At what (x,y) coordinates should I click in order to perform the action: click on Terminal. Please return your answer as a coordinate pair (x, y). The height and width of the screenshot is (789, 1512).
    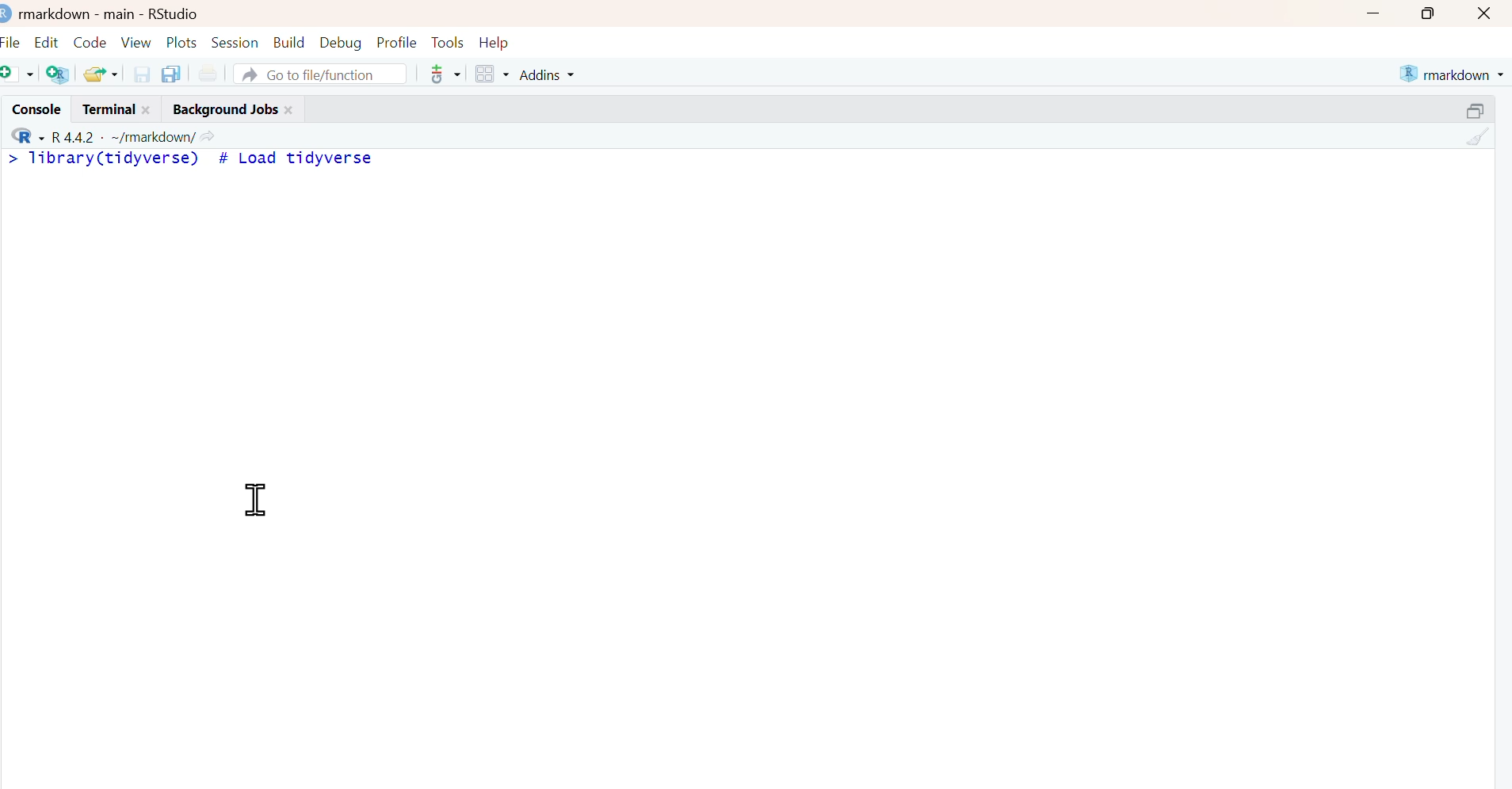
    Looking at the image, I should click on (105, 109).